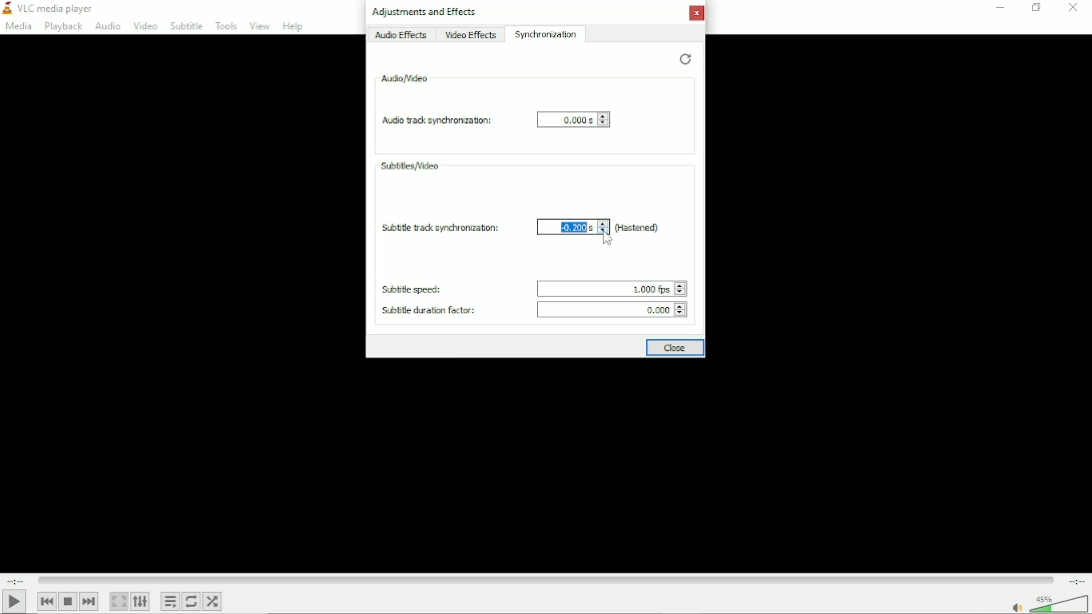 This screenshot has height=614, width=1092. I want to click on VLC media player, so click(50, 8).